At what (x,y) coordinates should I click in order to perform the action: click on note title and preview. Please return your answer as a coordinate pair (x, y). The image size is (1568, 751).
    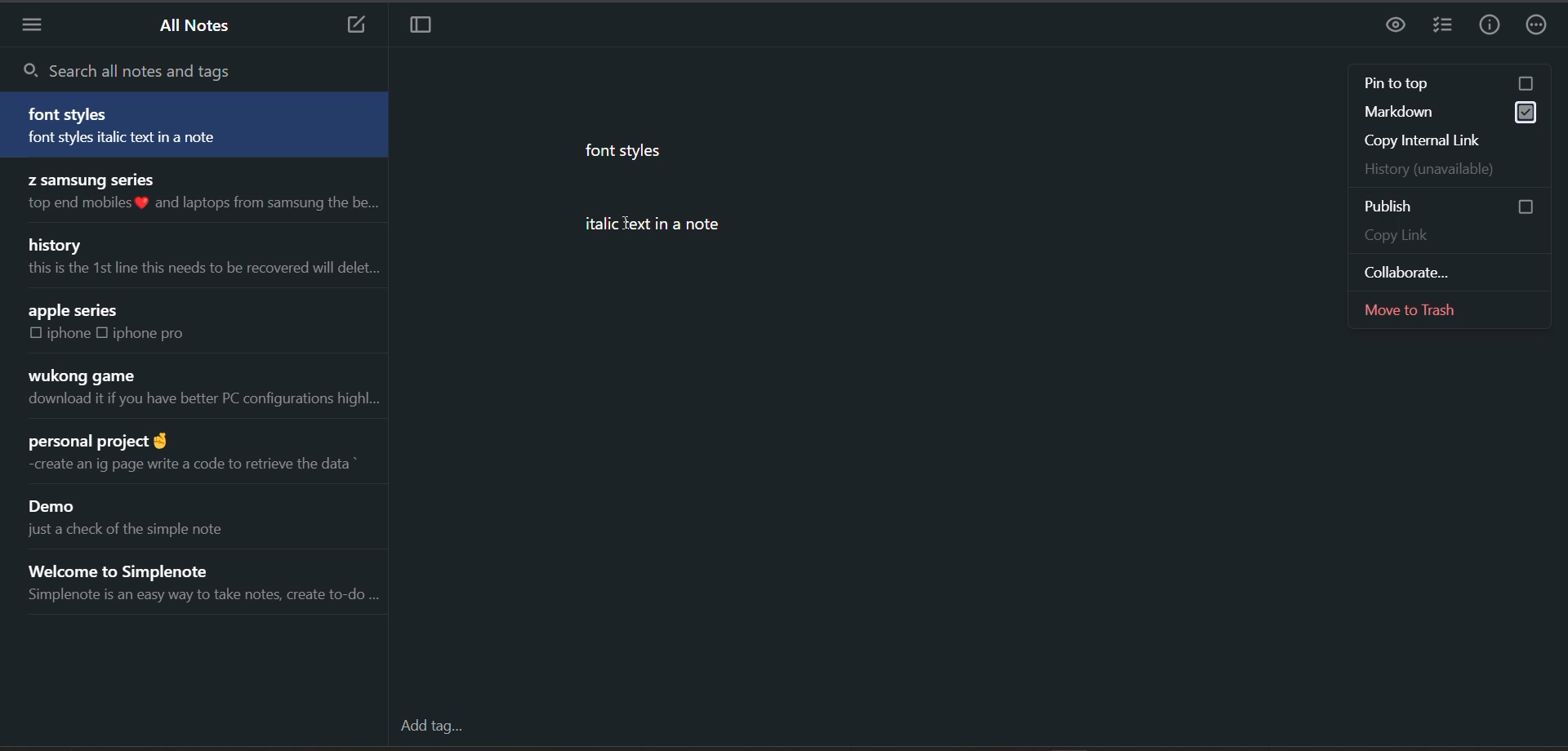
    Looking at the image, I should click on (210, 583).